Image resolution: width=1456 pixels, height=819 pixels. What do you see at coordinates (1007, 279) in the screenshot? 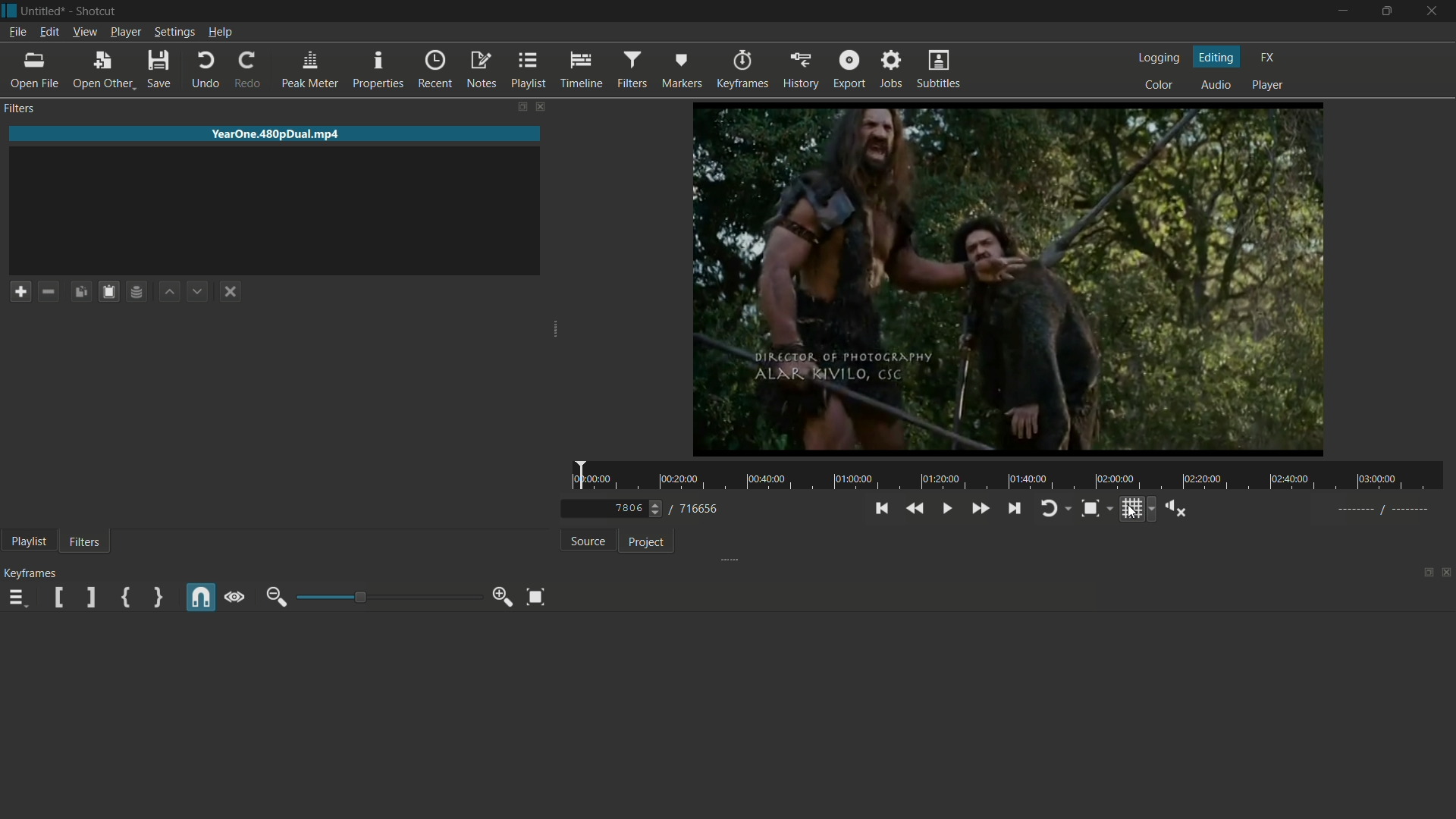
I see `preview window` at bounding box center [1007, 279].